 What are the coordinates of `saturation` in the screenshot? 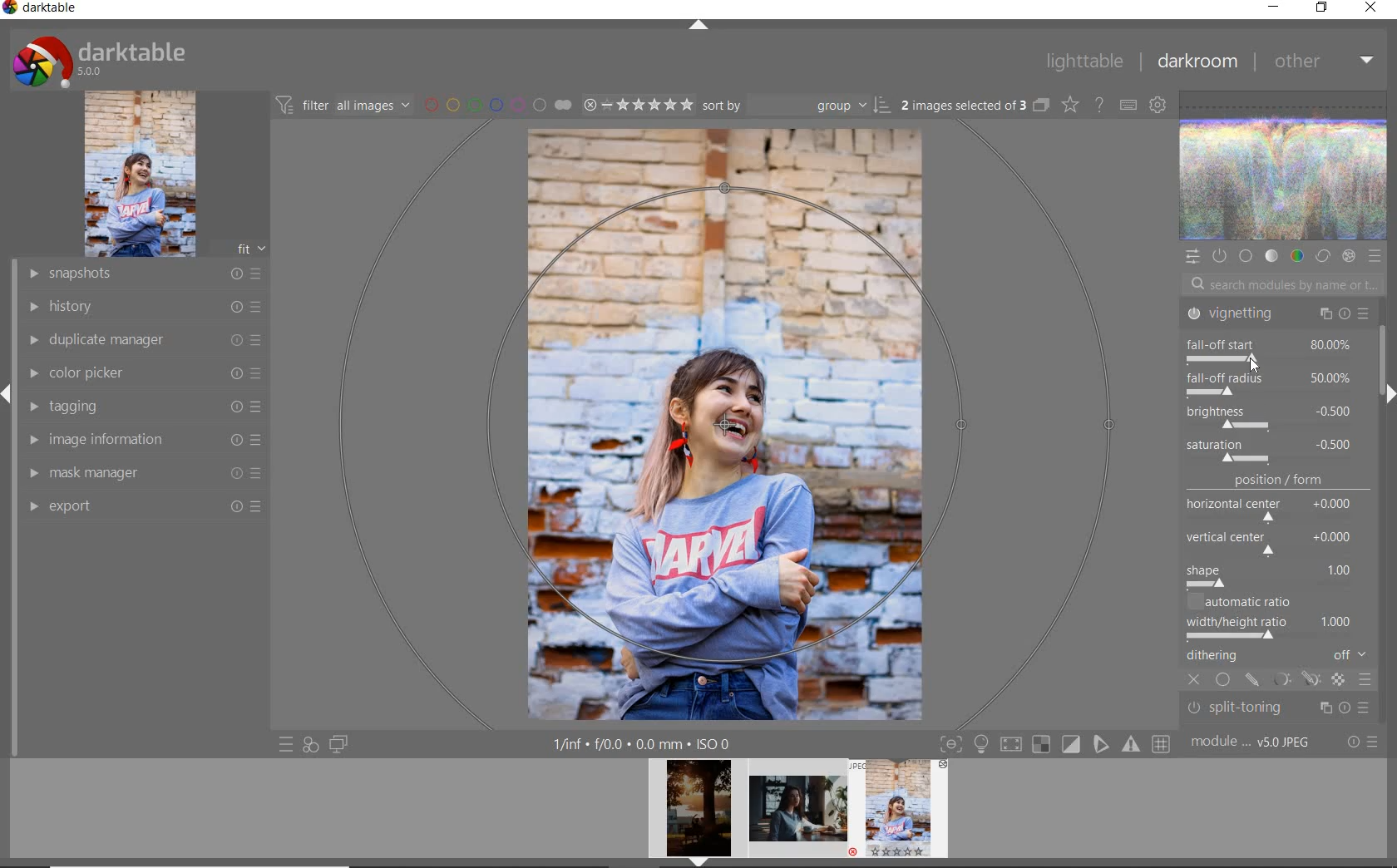 It's located at (1272, 451).